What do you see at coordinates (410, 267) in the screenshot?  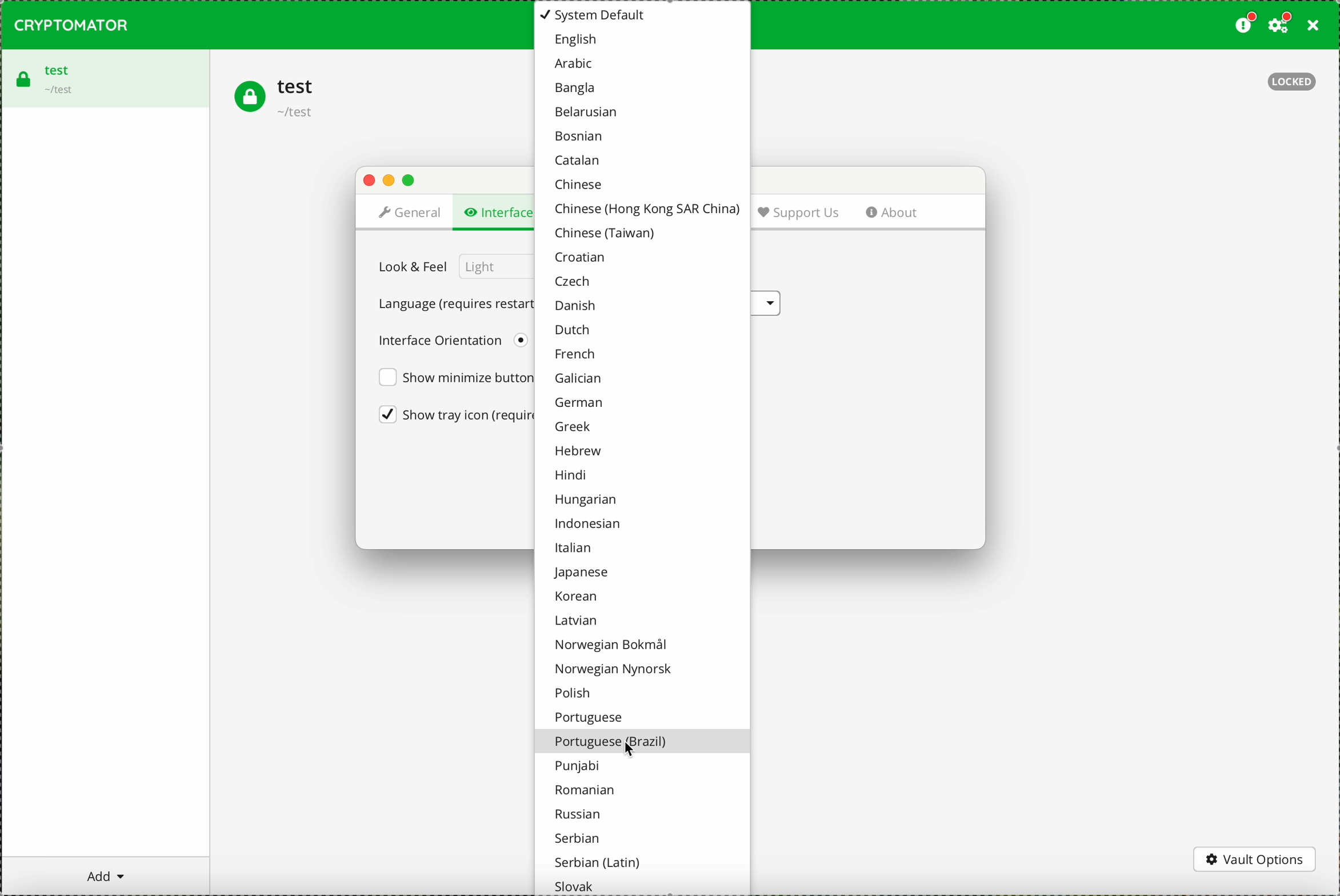 I see `look & feel` at bounding box center [410, 267].